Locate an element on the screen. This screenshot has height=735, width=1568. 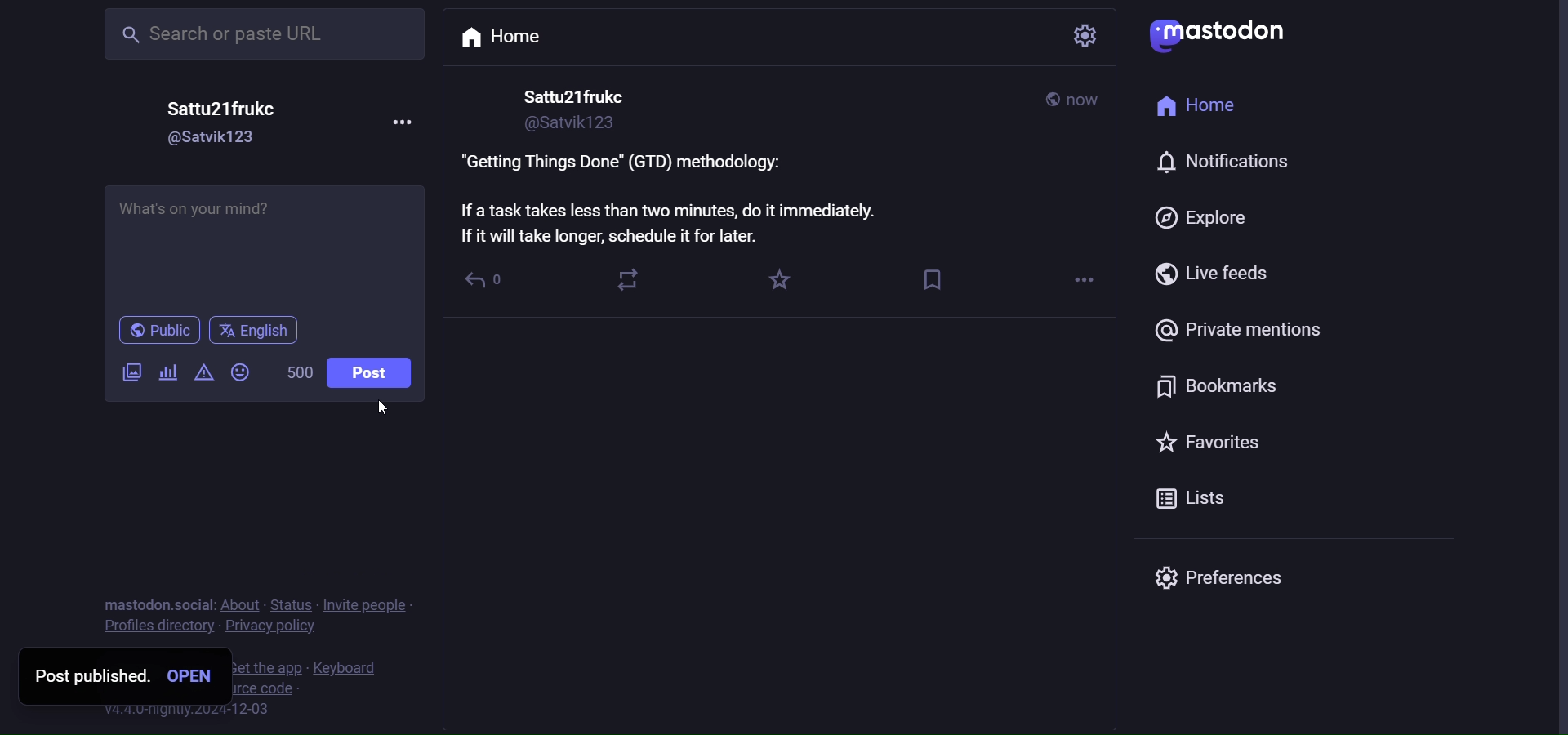
bookmark is located at coordinates (938, 282).